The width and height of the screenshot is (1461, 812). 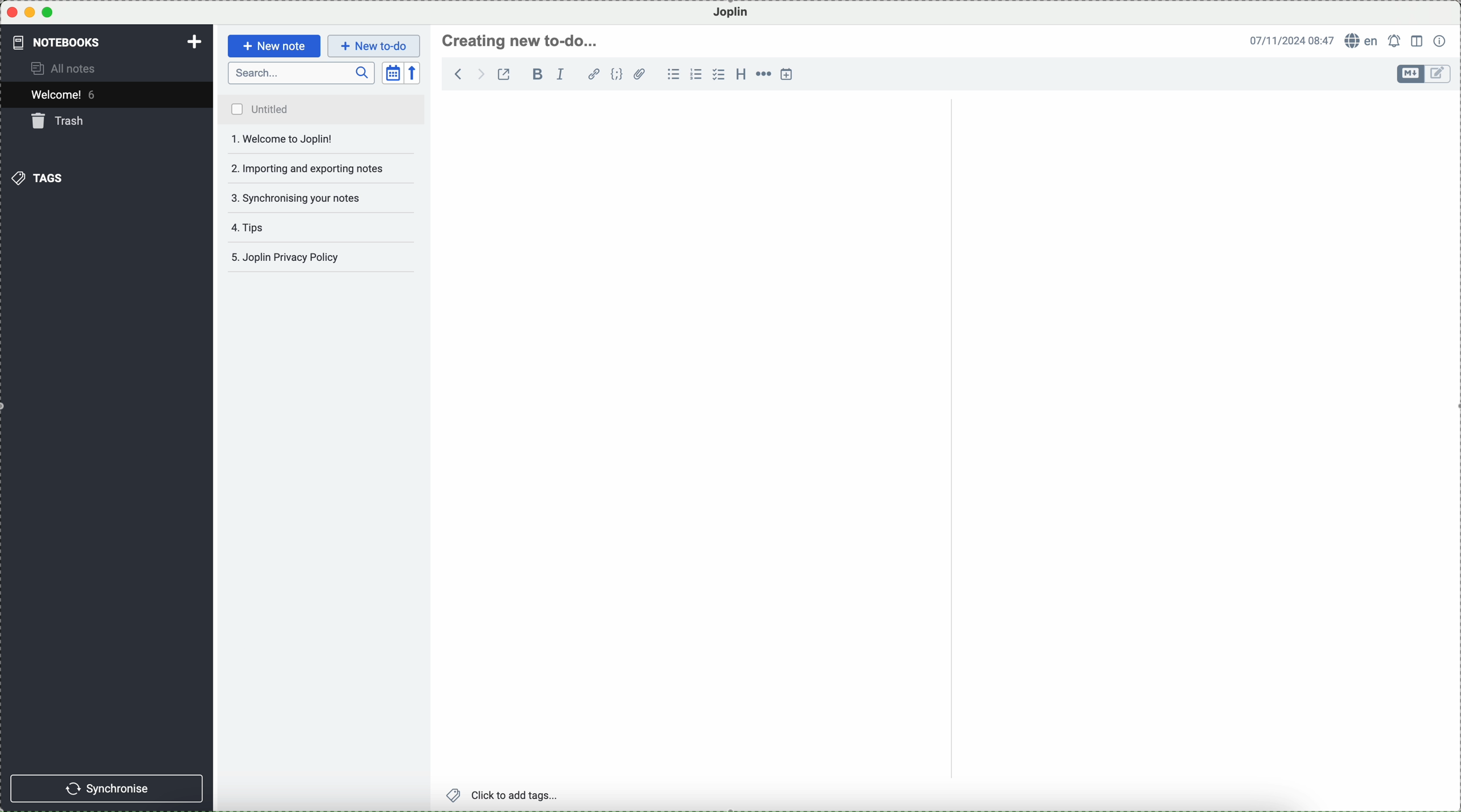 I want to click on Joplin, so click(x=731, y=13).